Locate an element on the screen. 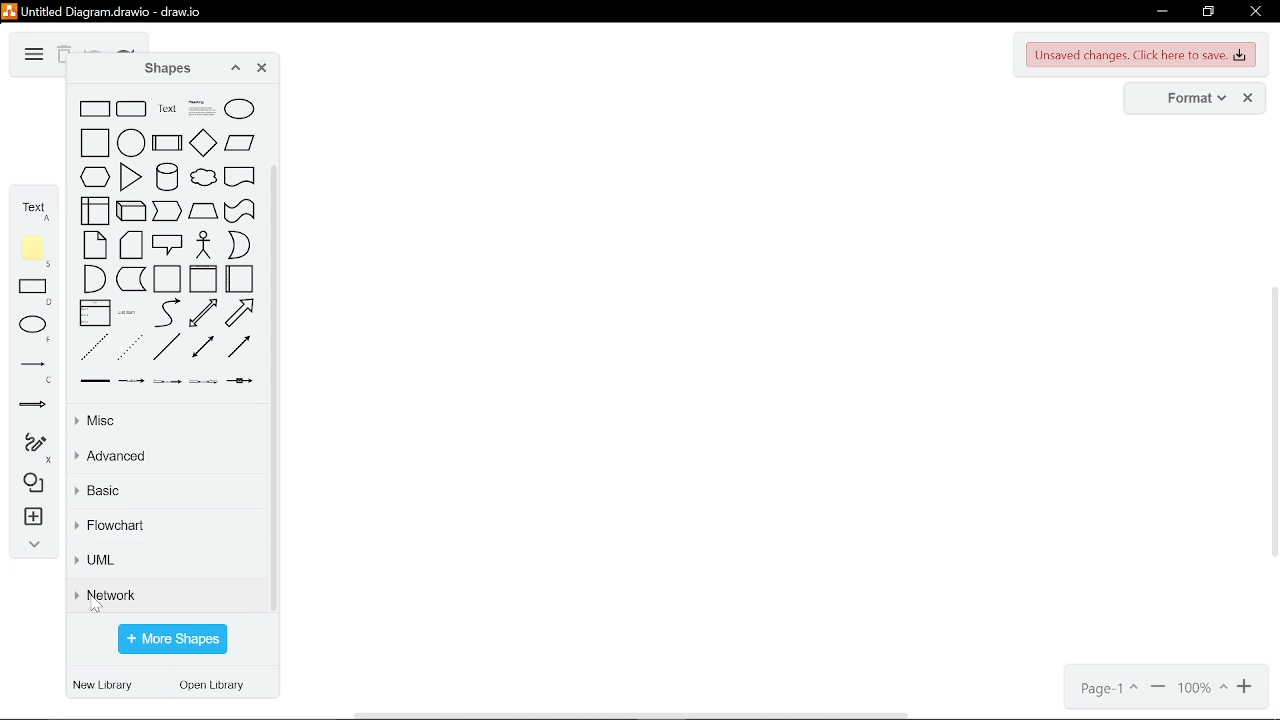 The width and height of the screenshot is (1280, 720). connector with label is located at coordinates (131, 382).